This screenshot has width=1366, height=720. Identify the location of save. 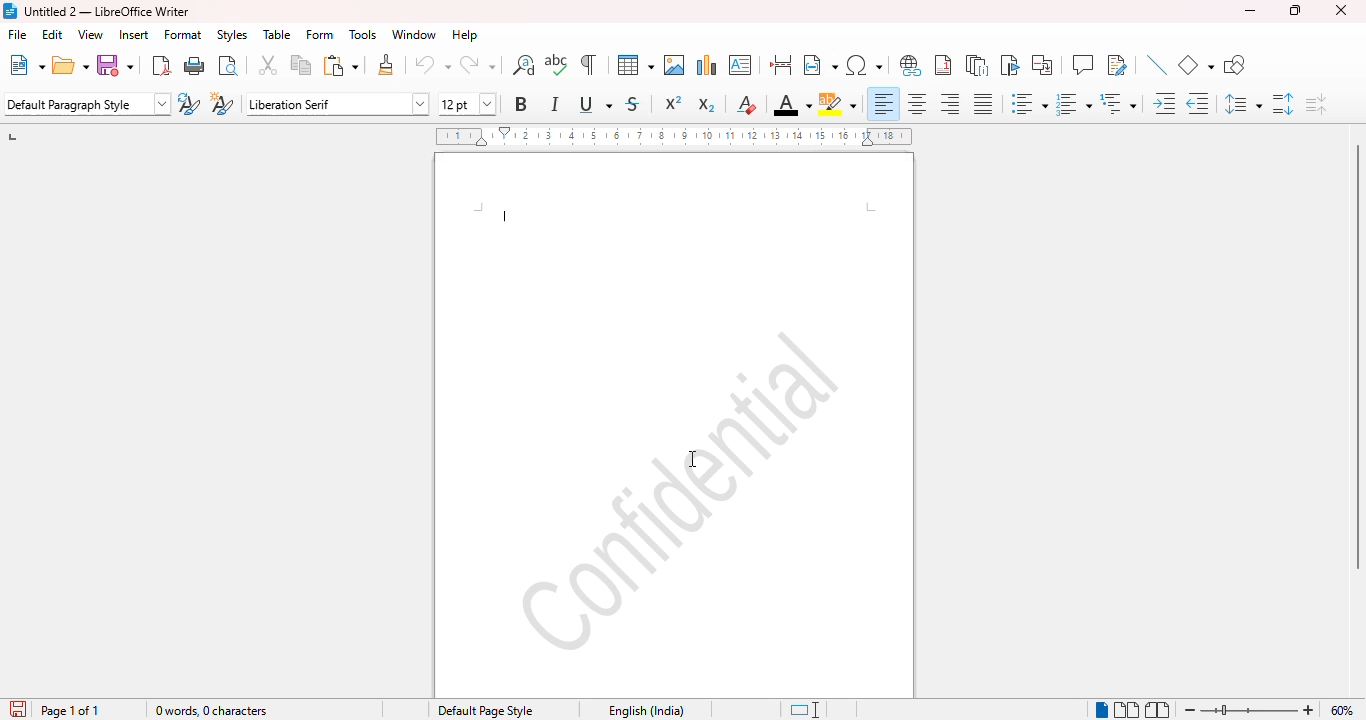
(114, 65).